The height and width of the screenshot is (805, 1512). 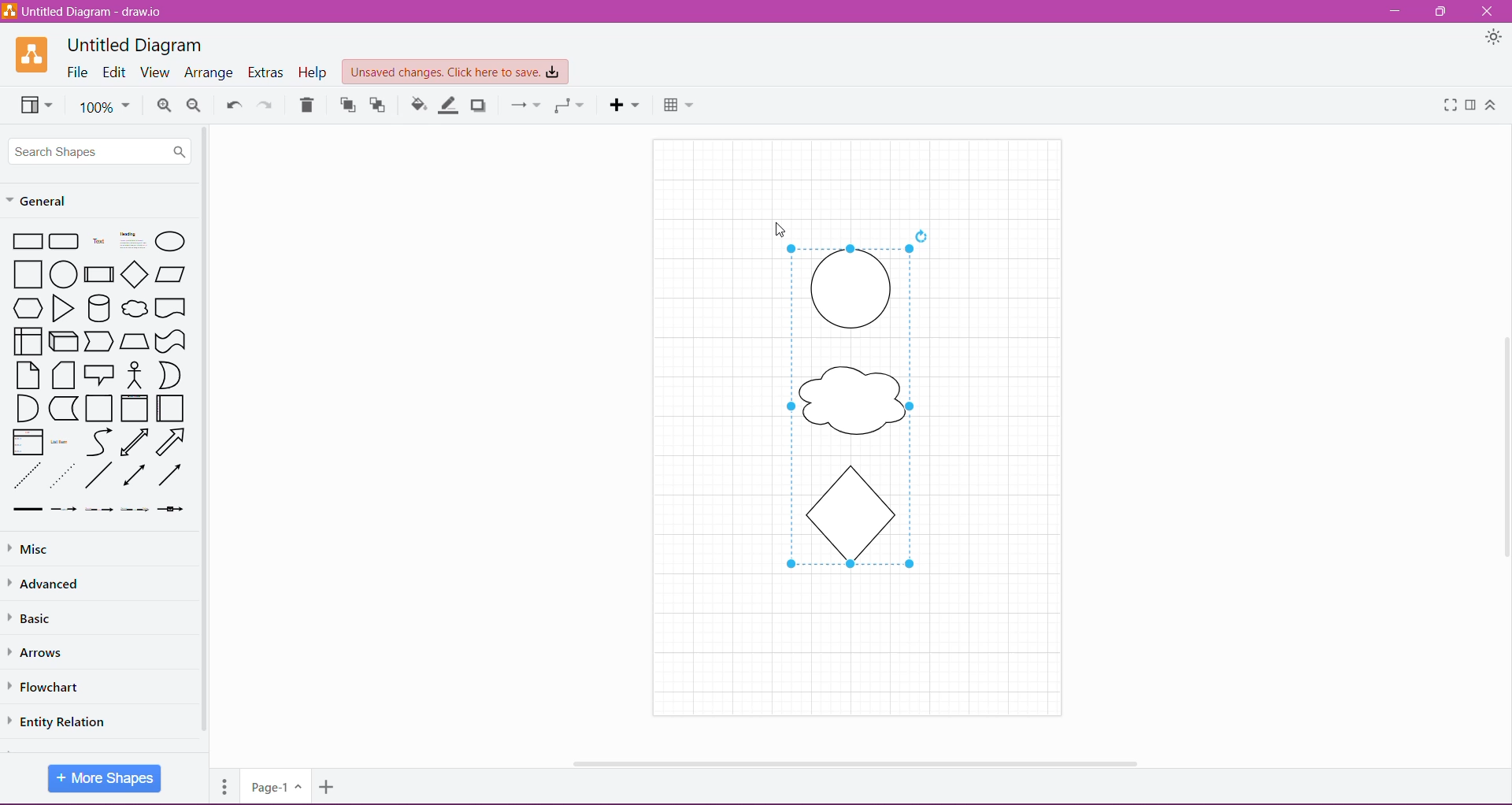 I want to click on Appearance, so click(x=1483, y=38).